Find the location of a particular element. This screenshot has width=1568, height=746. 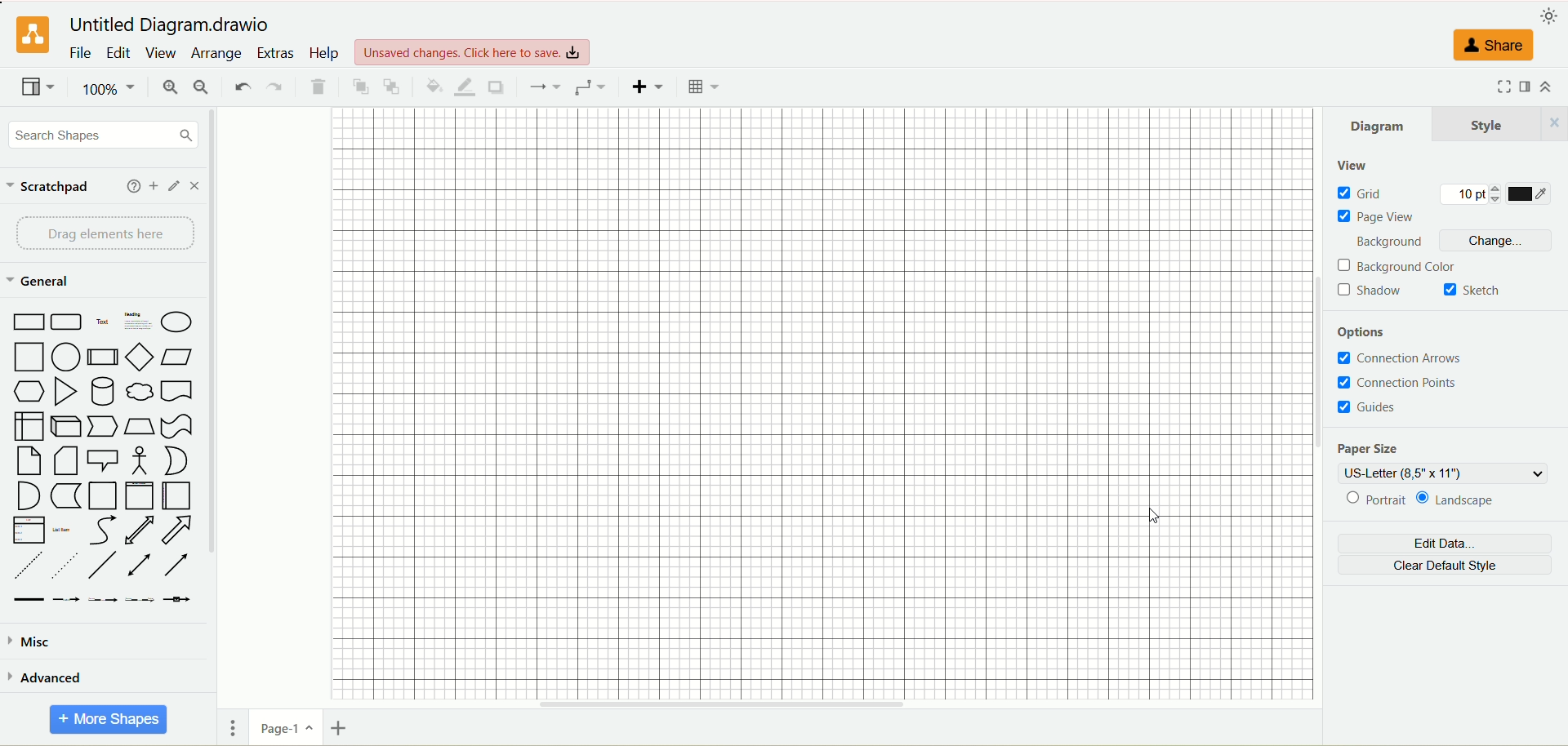

advanced is located at coordinates (50, 677).